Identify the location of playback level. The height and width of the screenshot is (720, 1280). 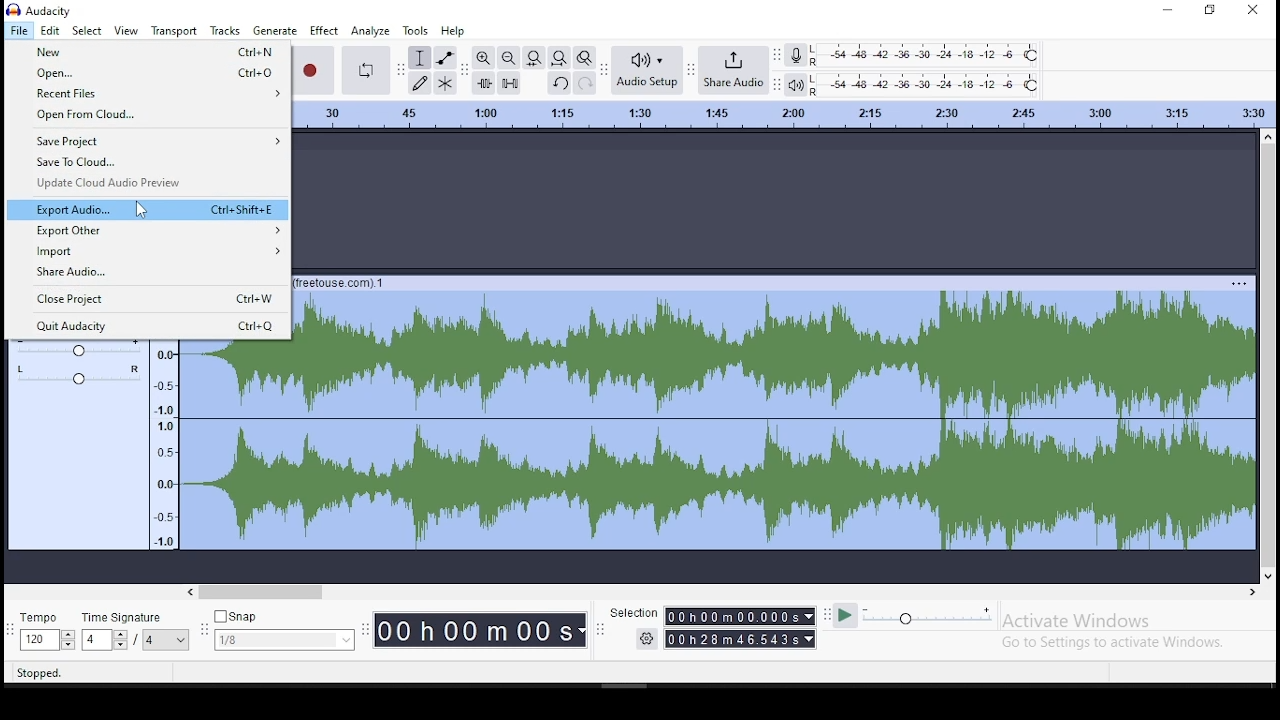
(927, 84).